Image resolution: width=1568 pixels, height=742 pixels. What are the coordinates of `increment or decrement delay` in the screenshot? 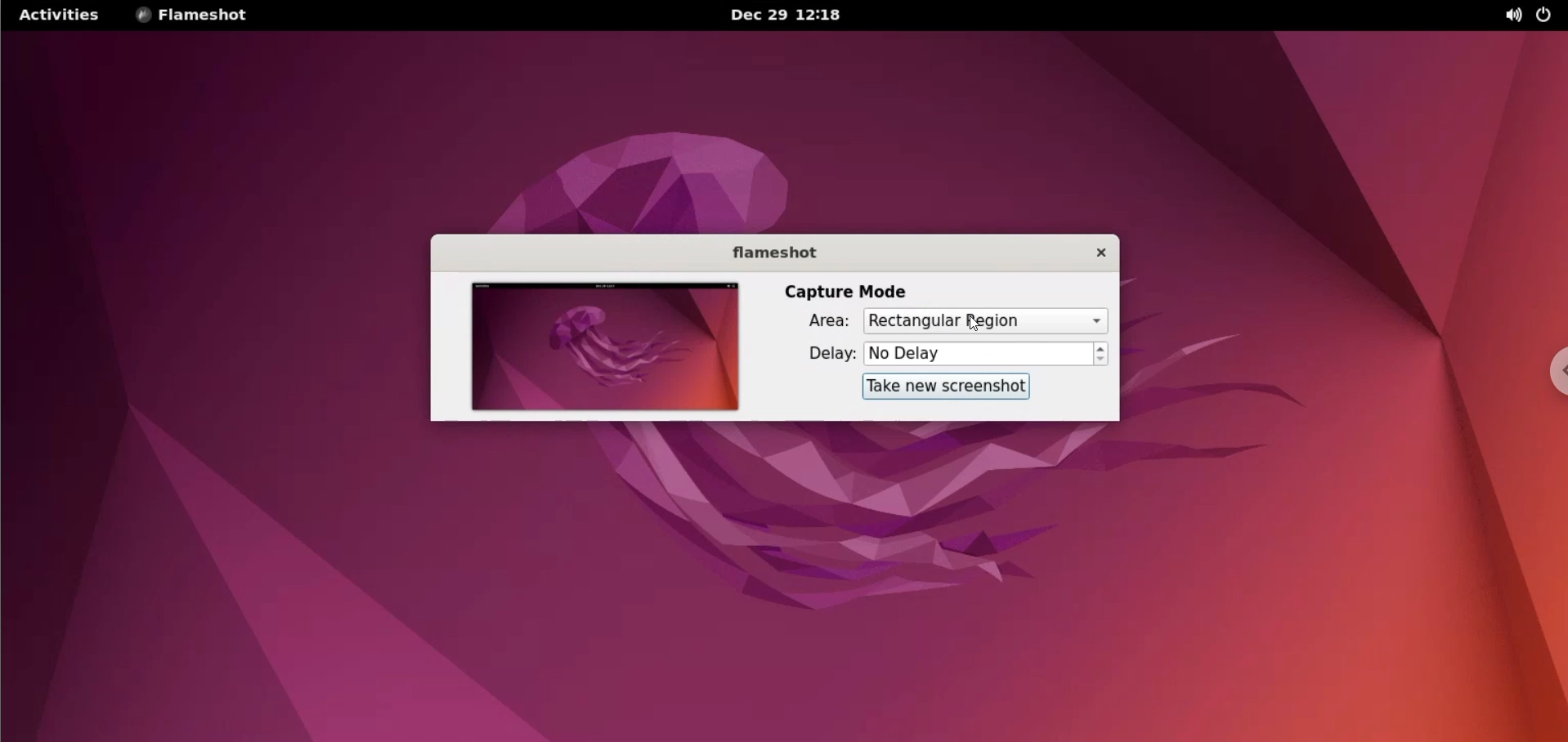 It's located at (1104, 352).